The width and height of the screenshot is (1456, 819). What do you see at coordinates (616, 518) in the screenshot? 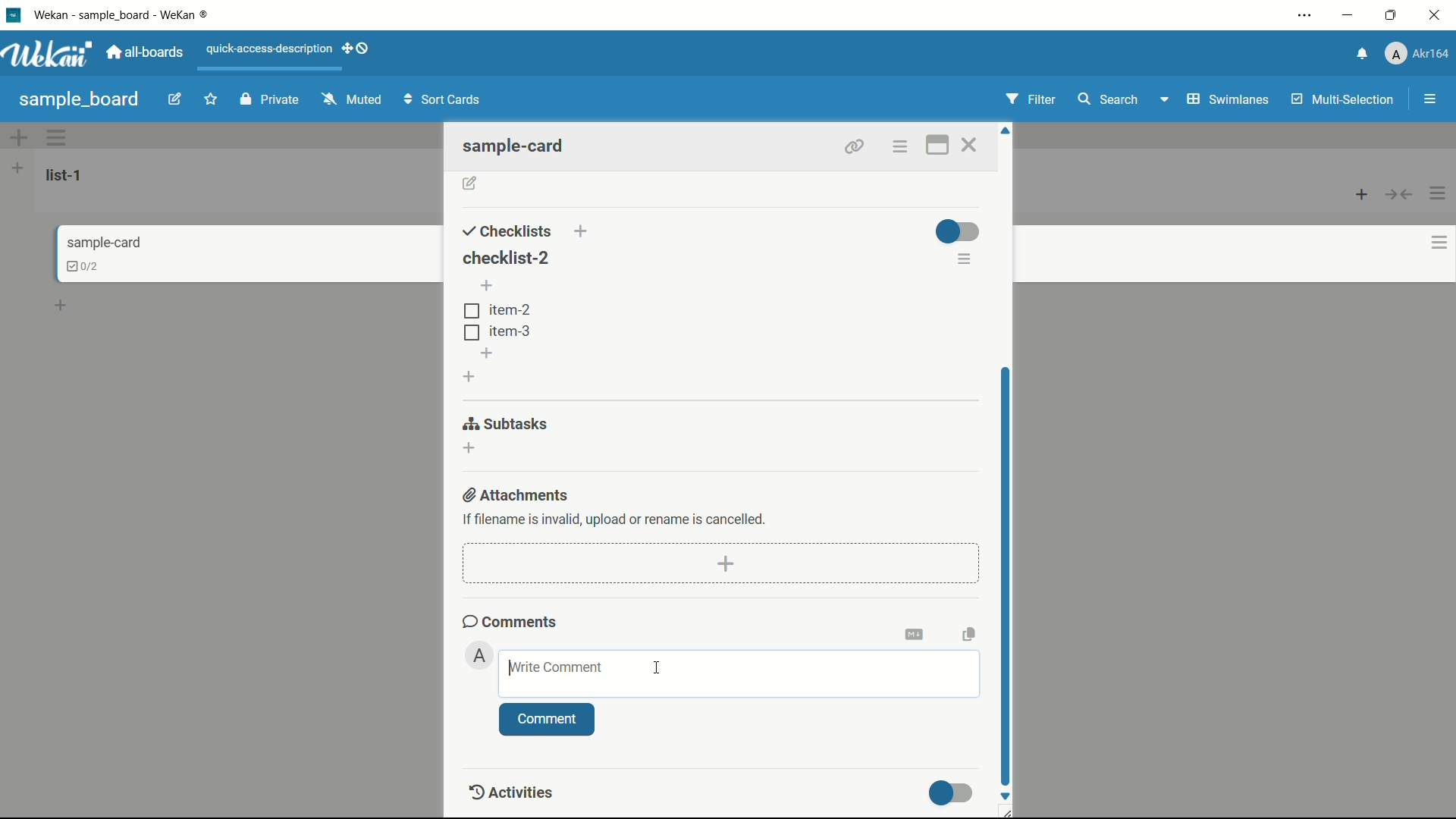
I see `text` at bounding box center [616, 518].